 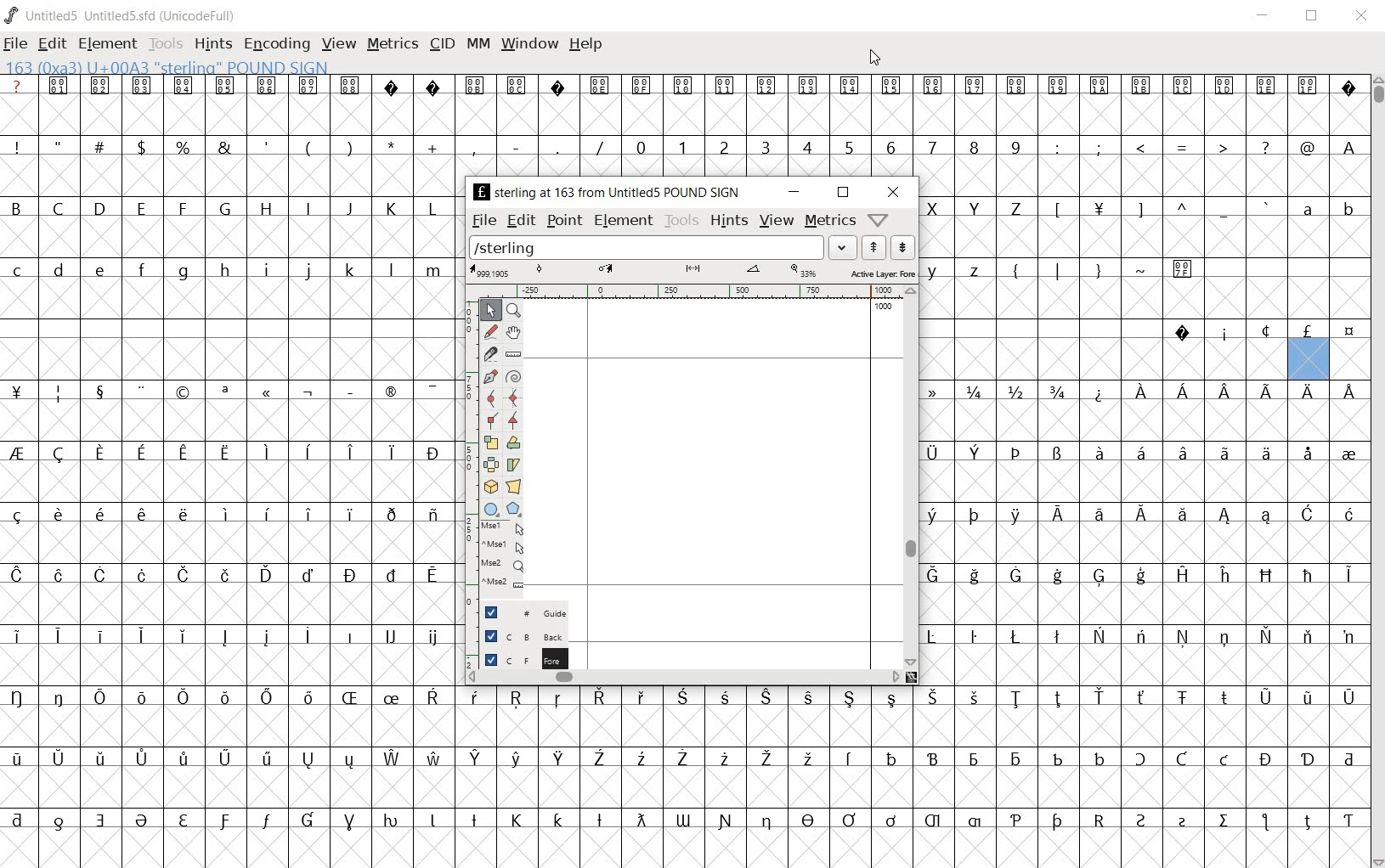 What do you see at coordinates (59, 757) in the screenshot?
I see `Symbol` at bounding box center [59, 757].